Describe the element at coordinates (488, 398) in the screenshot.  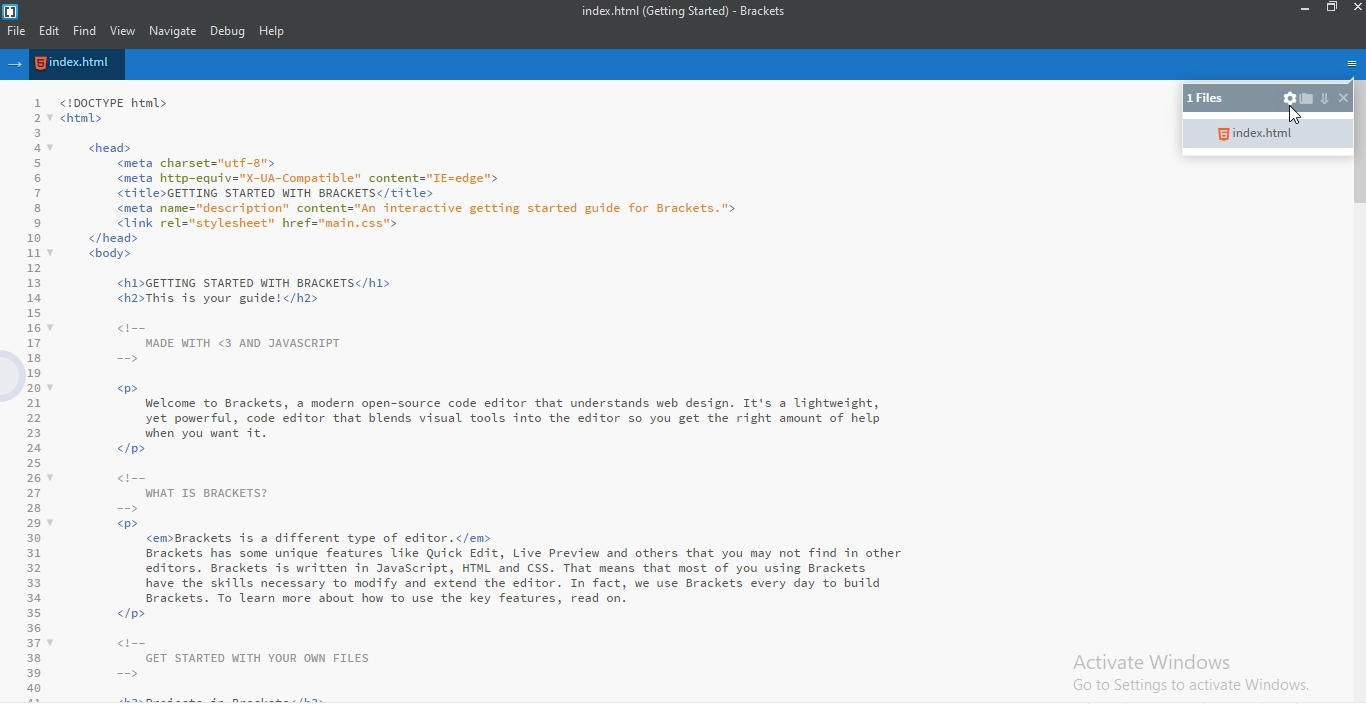
I see `Welcome to Brackets, a modern open-source code editor that understands web design. It's a lightweight,yet powerful, code editor that blends visual tools into the editor so you get the right amount of help when you want it.` at that location.